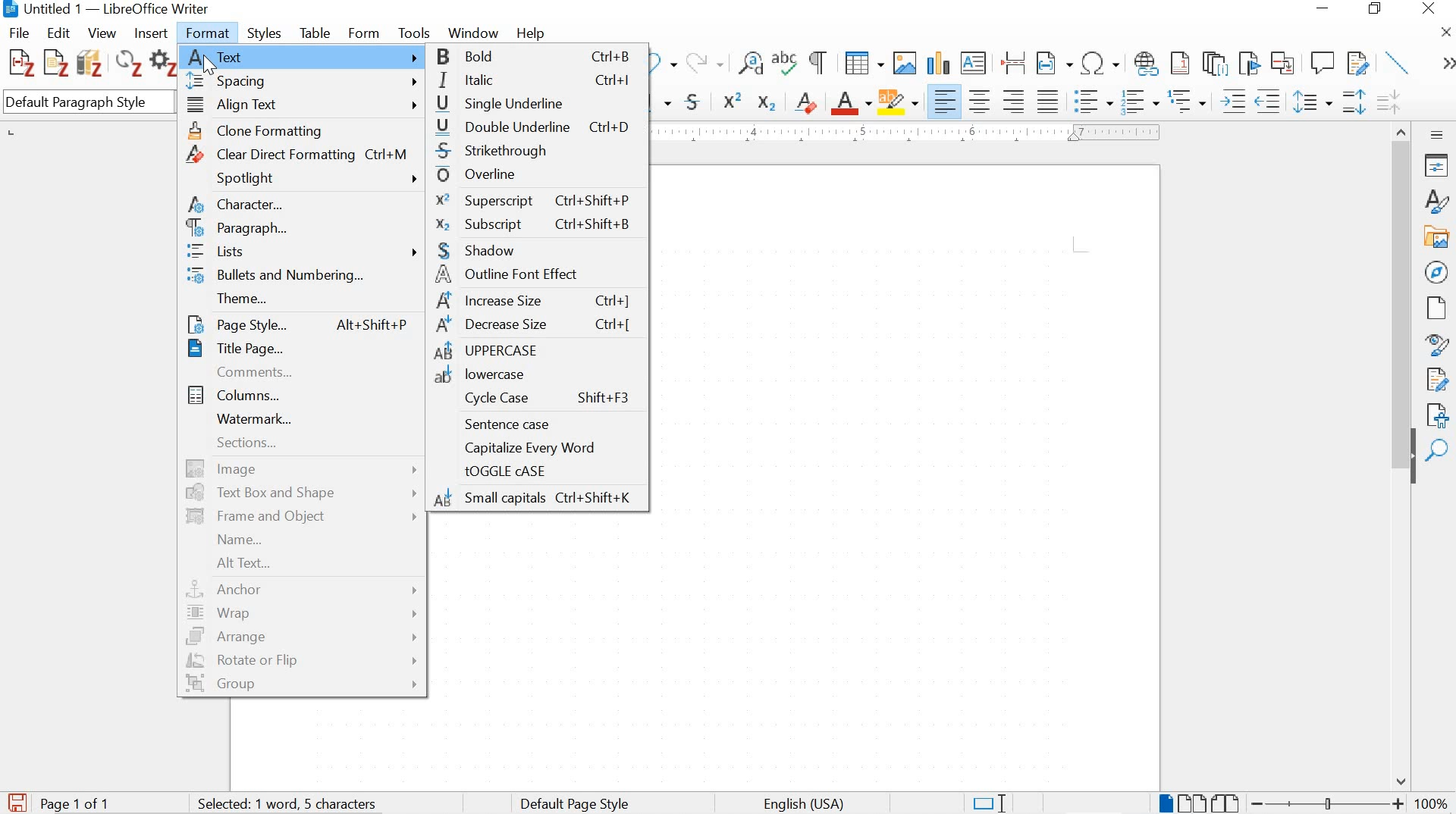 This screenshot has height=814, width=1456. What do you see at coordinates (1438, 134) in the screenshot?
I see `sidebar settings` at bounding box center [1438, 134].